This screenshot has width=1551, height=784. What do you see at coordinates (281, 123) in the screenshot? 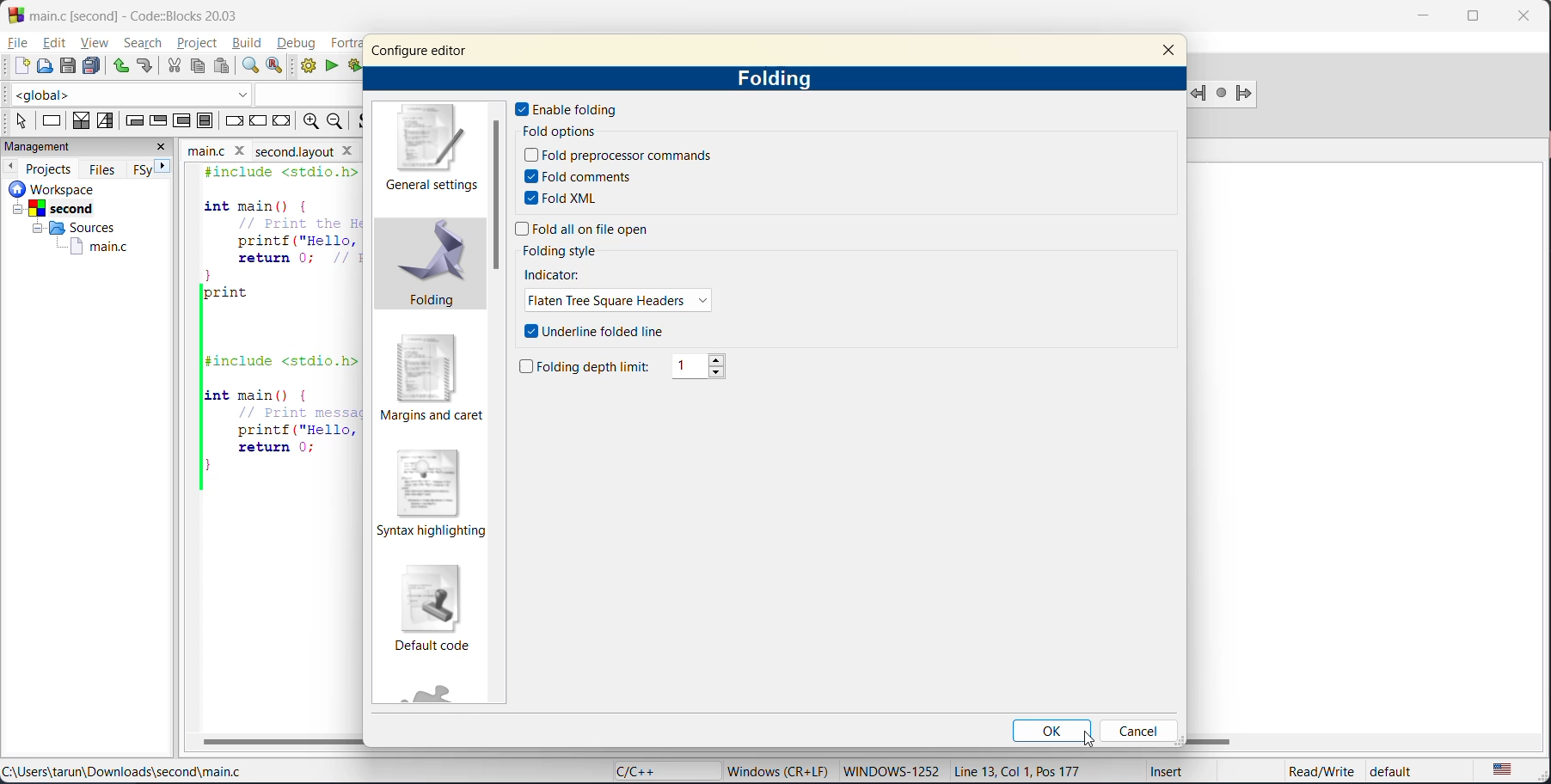
I see `return instruction` at bounding box center [281, 123].